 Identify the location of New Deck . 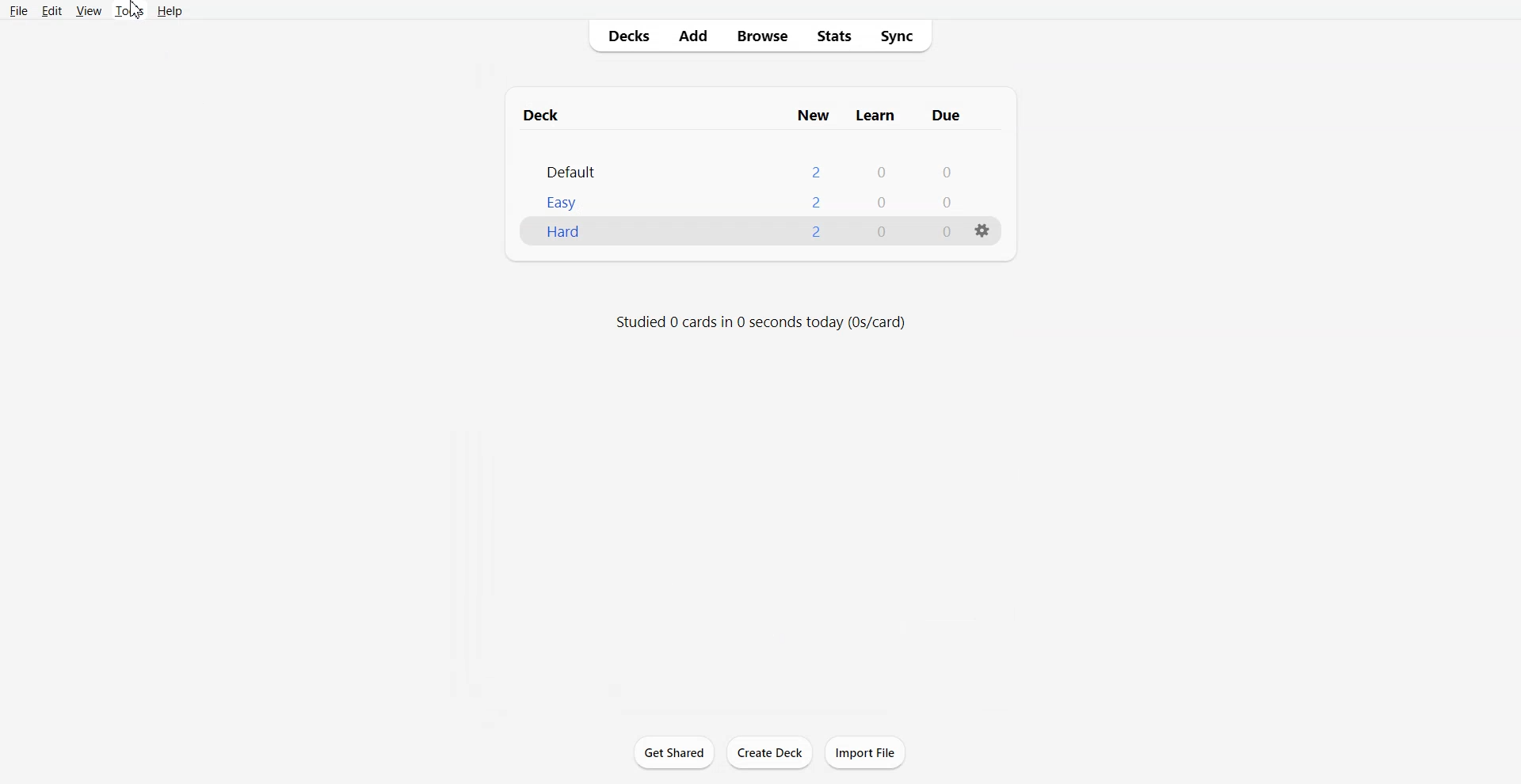
(734, 241).